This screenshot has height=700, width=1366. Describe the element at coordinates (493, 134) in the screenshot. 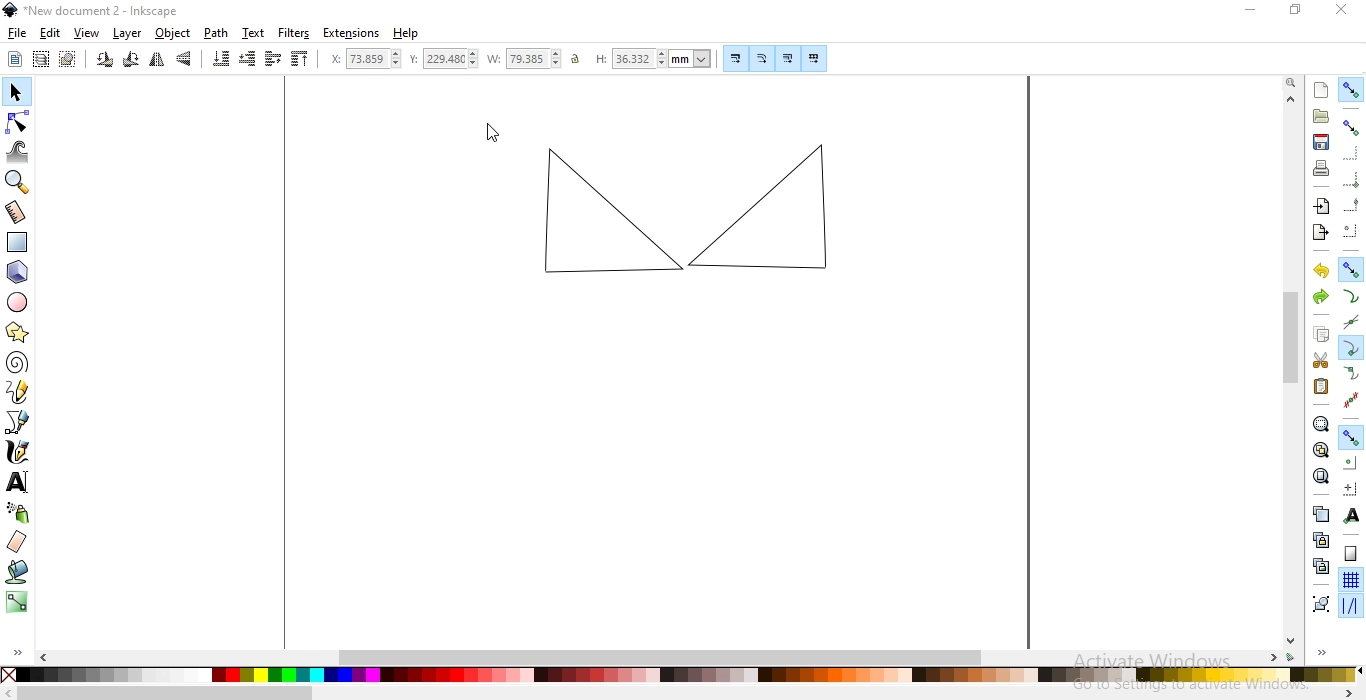

I see `cursor` at that location.